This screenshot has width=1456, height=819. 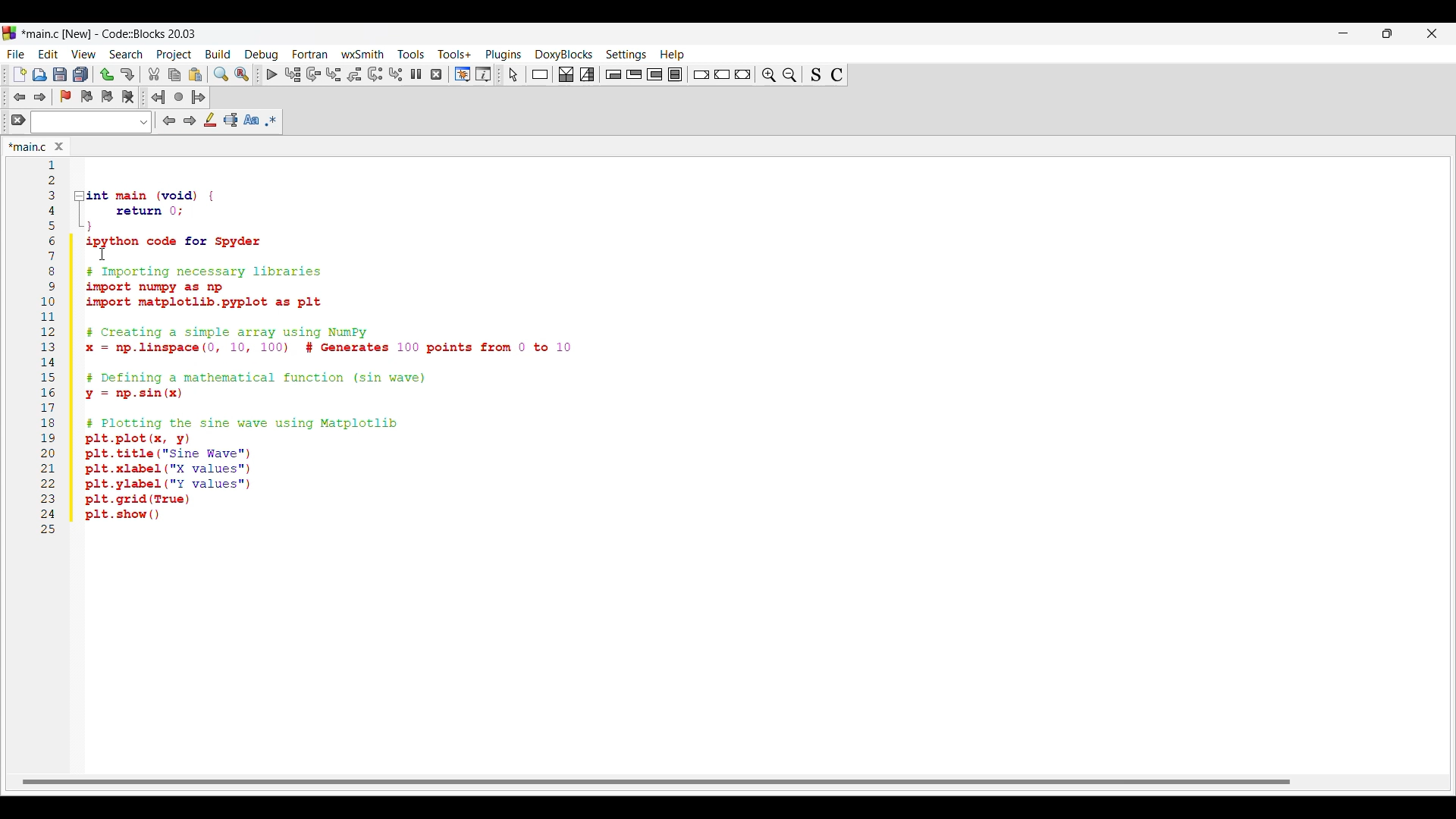 What do you see at coordinates (9, 33) in the screenshot?
I see `Software logo` at bounding box center [9, 33].